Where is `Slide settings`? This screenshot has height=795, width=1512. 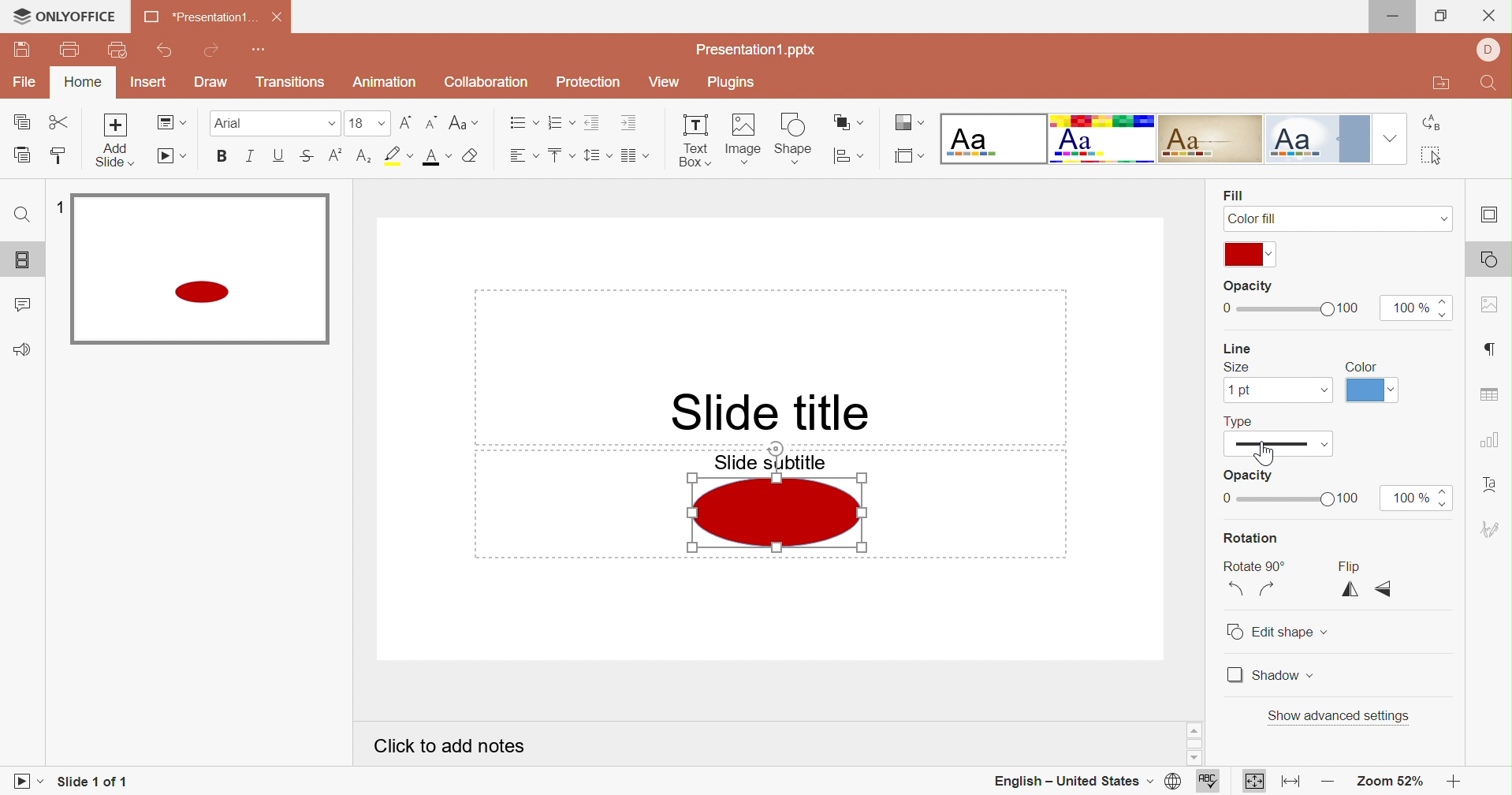
Slide settings is located at coordinates (1491, 215).